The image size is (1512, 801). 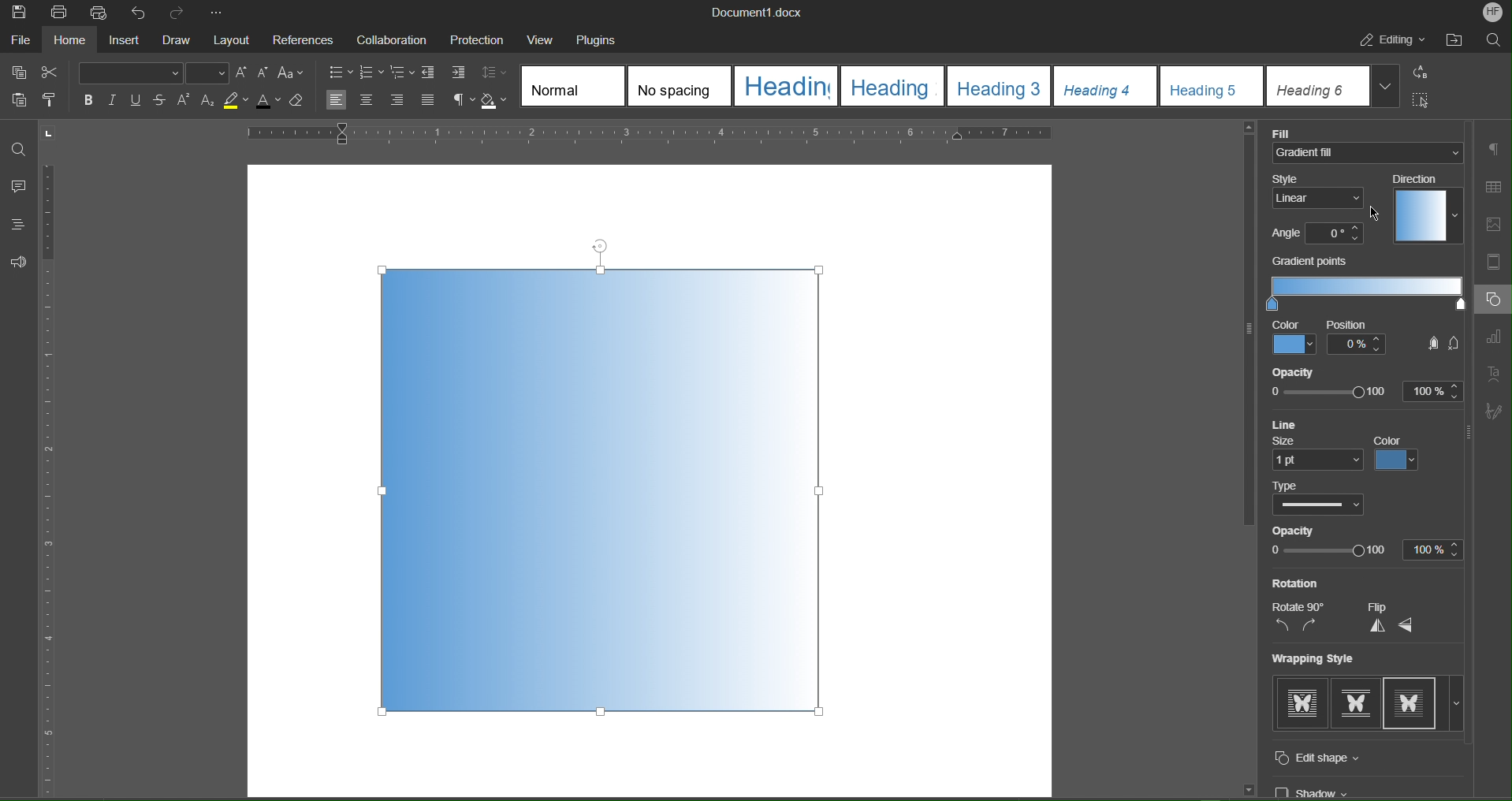 I want to click on Vertical scroll bar, so click(x=1240, y=343).